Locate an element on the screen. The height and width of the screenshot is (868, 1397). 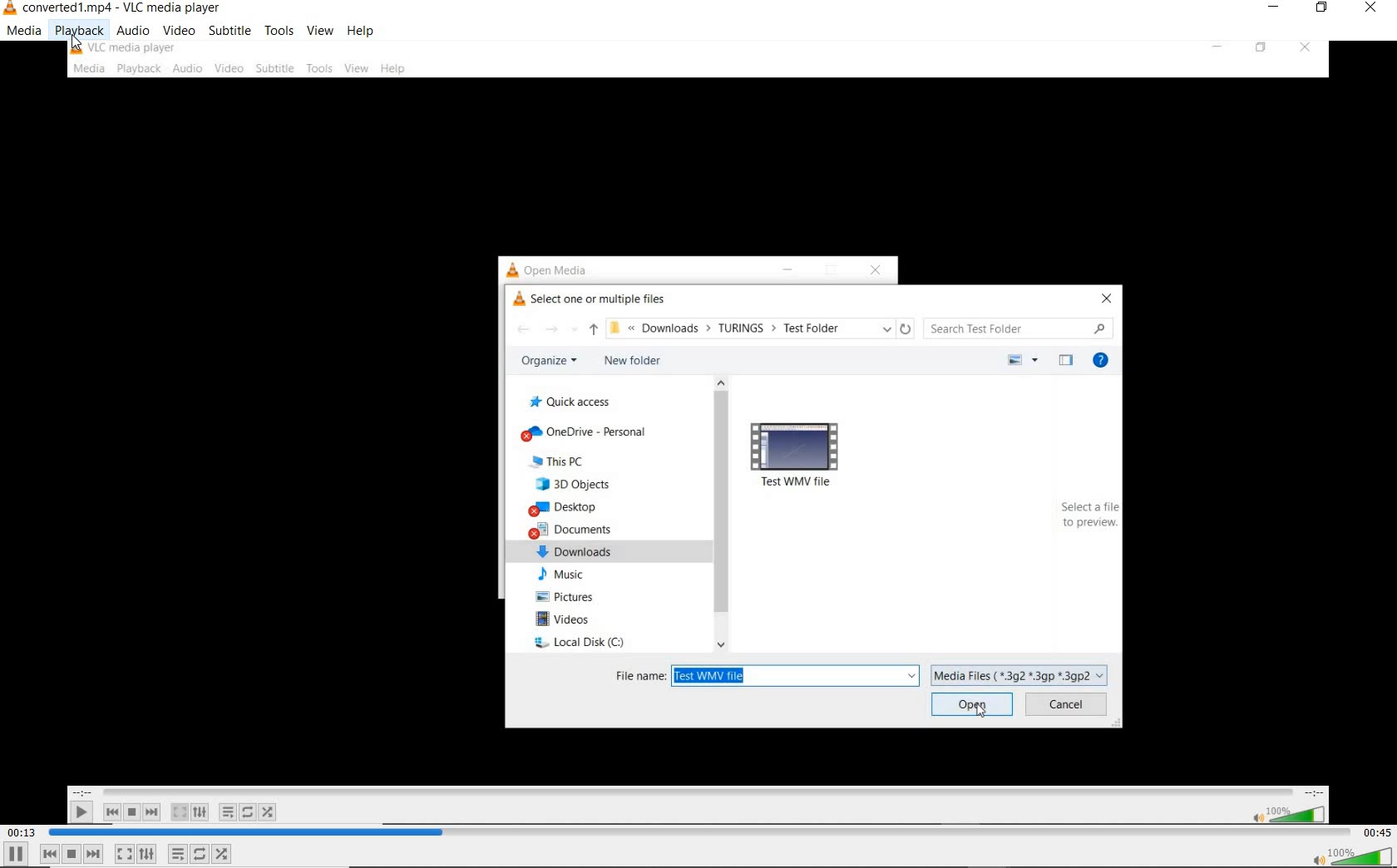
minimize is located at coordinates (1274, 7).